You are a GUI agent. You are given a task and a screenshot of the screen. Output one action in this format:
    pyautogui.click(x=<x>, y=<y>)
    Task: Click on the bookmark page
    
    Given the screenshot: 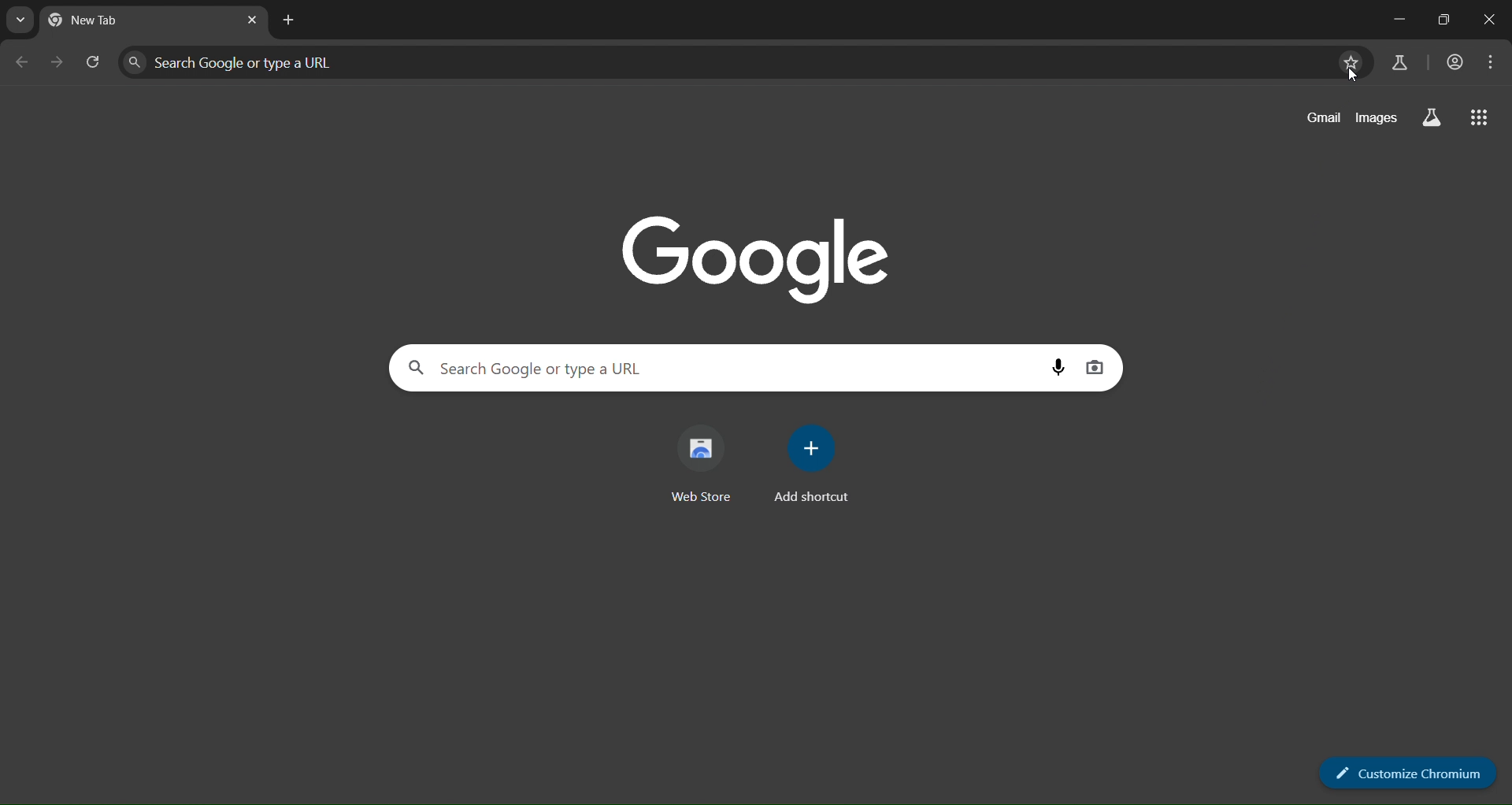 What is the action you would take?
    pyautogui.click(x=1352, y=61)
    